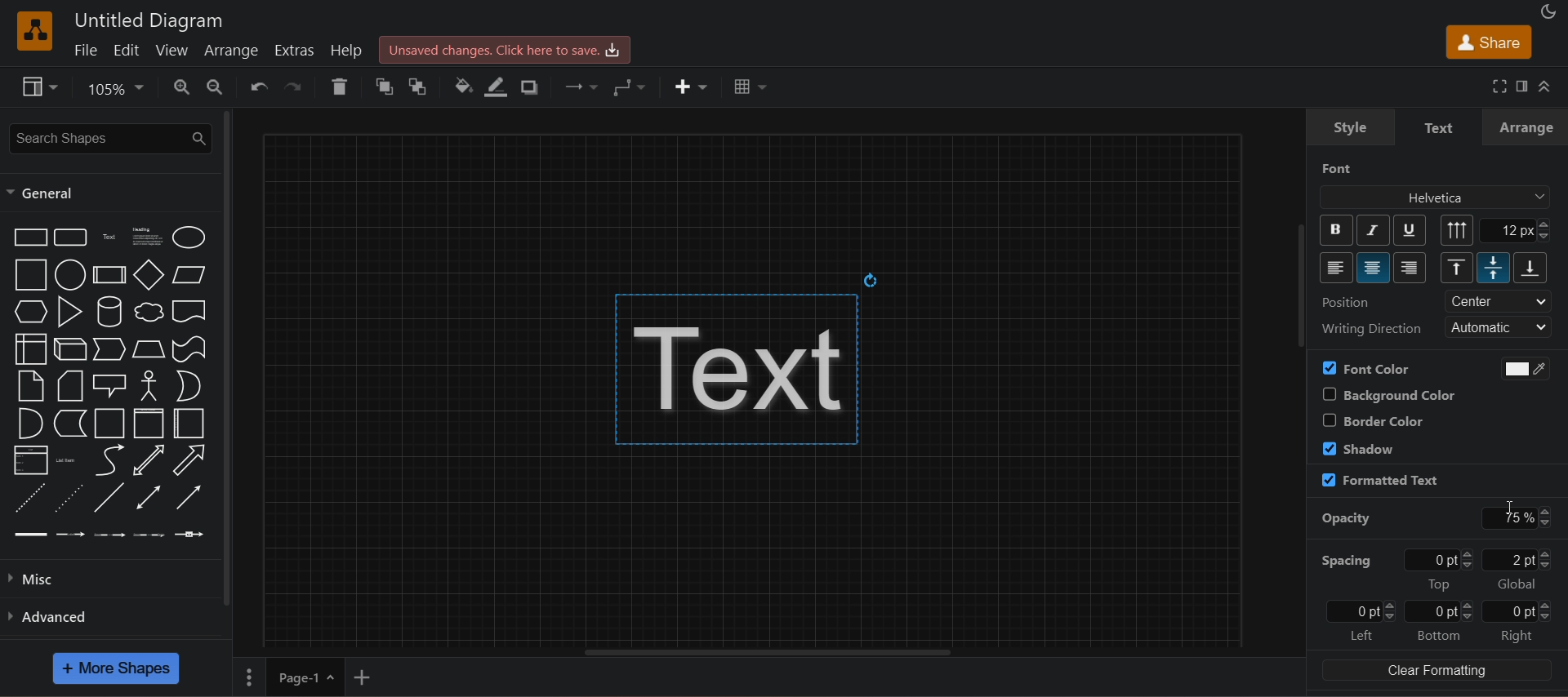 This screenshot has height=697, width=1568. Describe the element at coordinates (1517, 230) in the screenshot. I see `12px` at that location.